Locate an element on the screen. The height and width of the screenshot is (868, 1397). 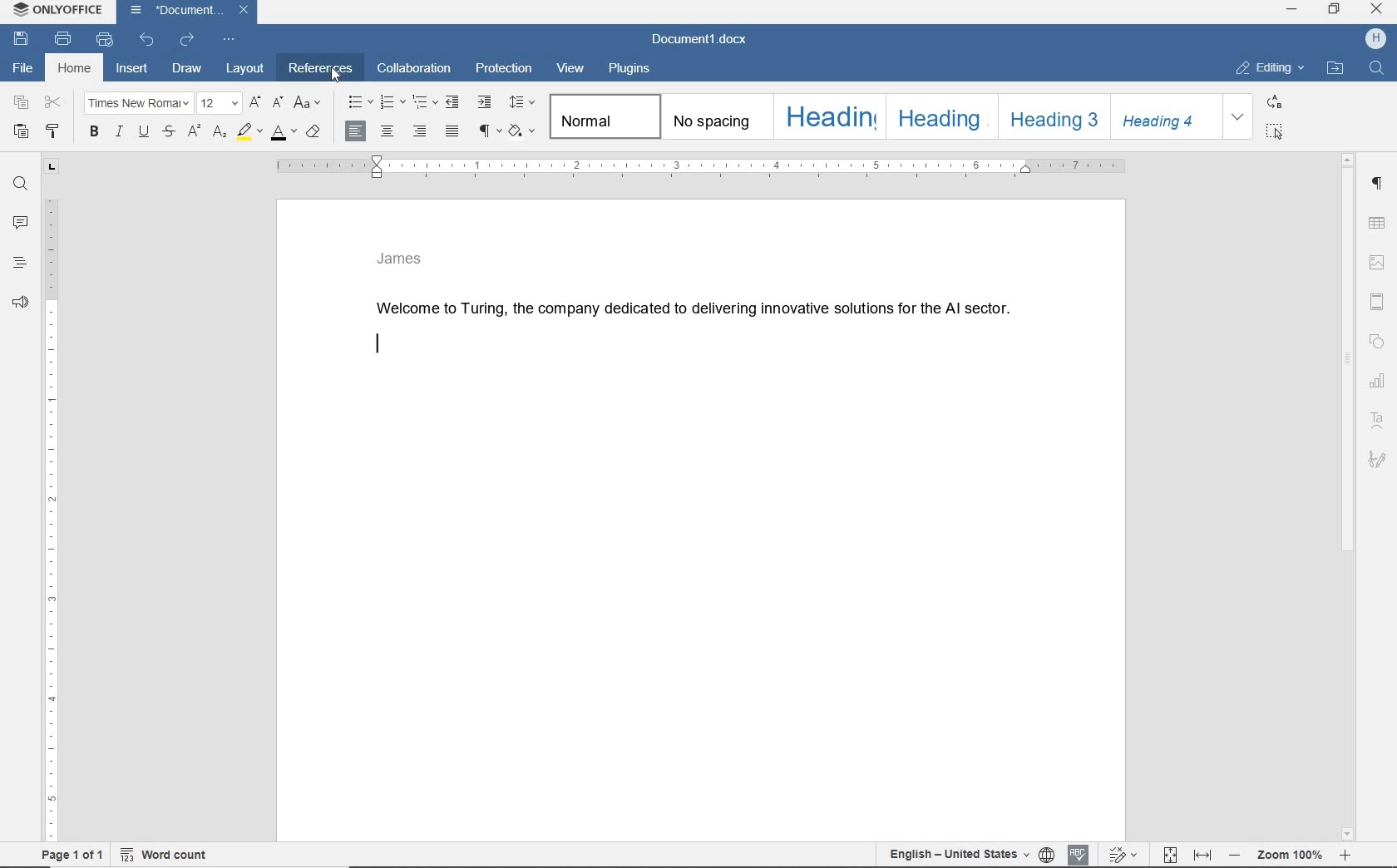
document name is located at coordinates (699, 39).